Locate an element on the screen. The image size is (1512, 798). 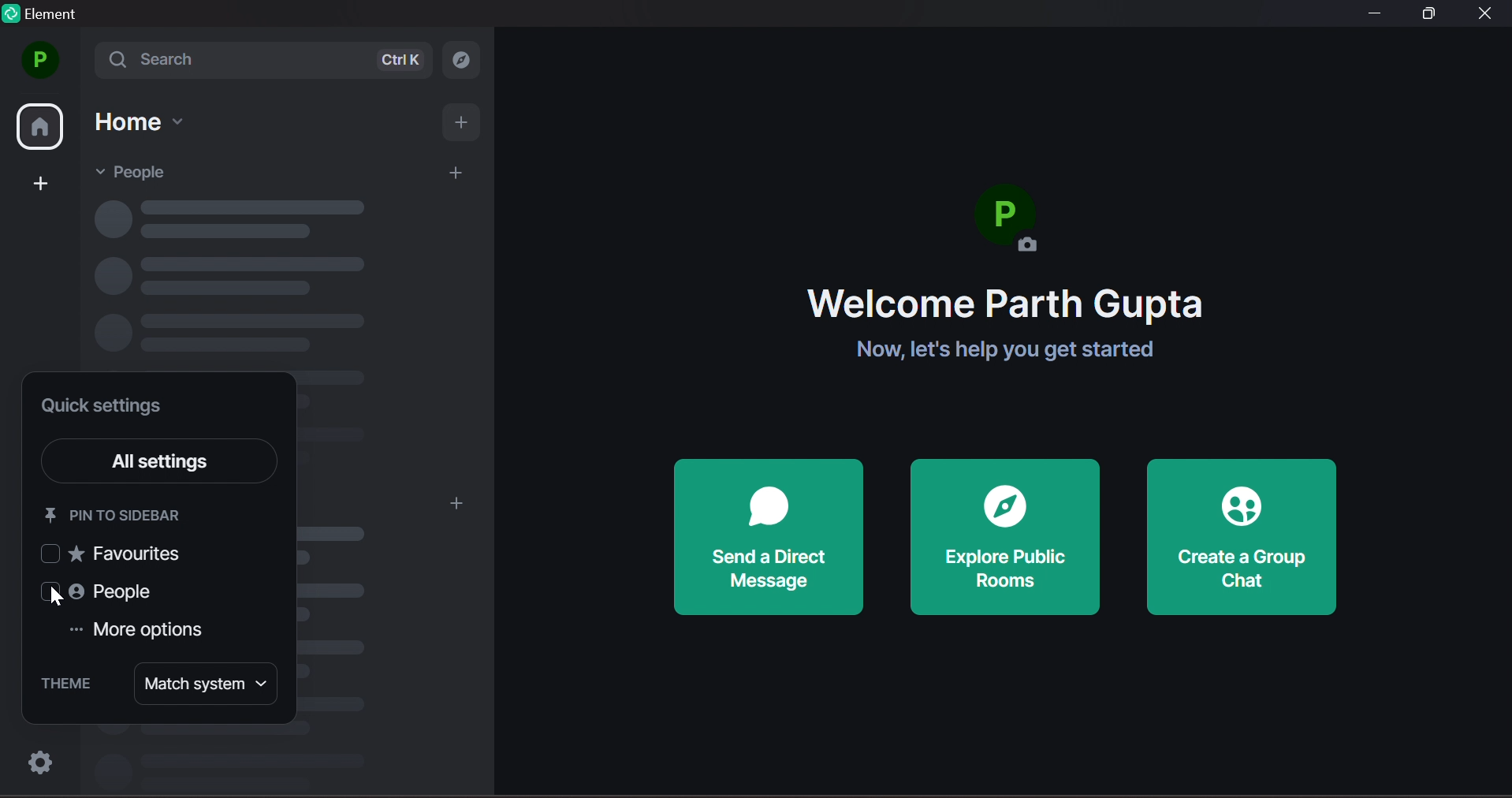
add is located at coordinates (464, 125).